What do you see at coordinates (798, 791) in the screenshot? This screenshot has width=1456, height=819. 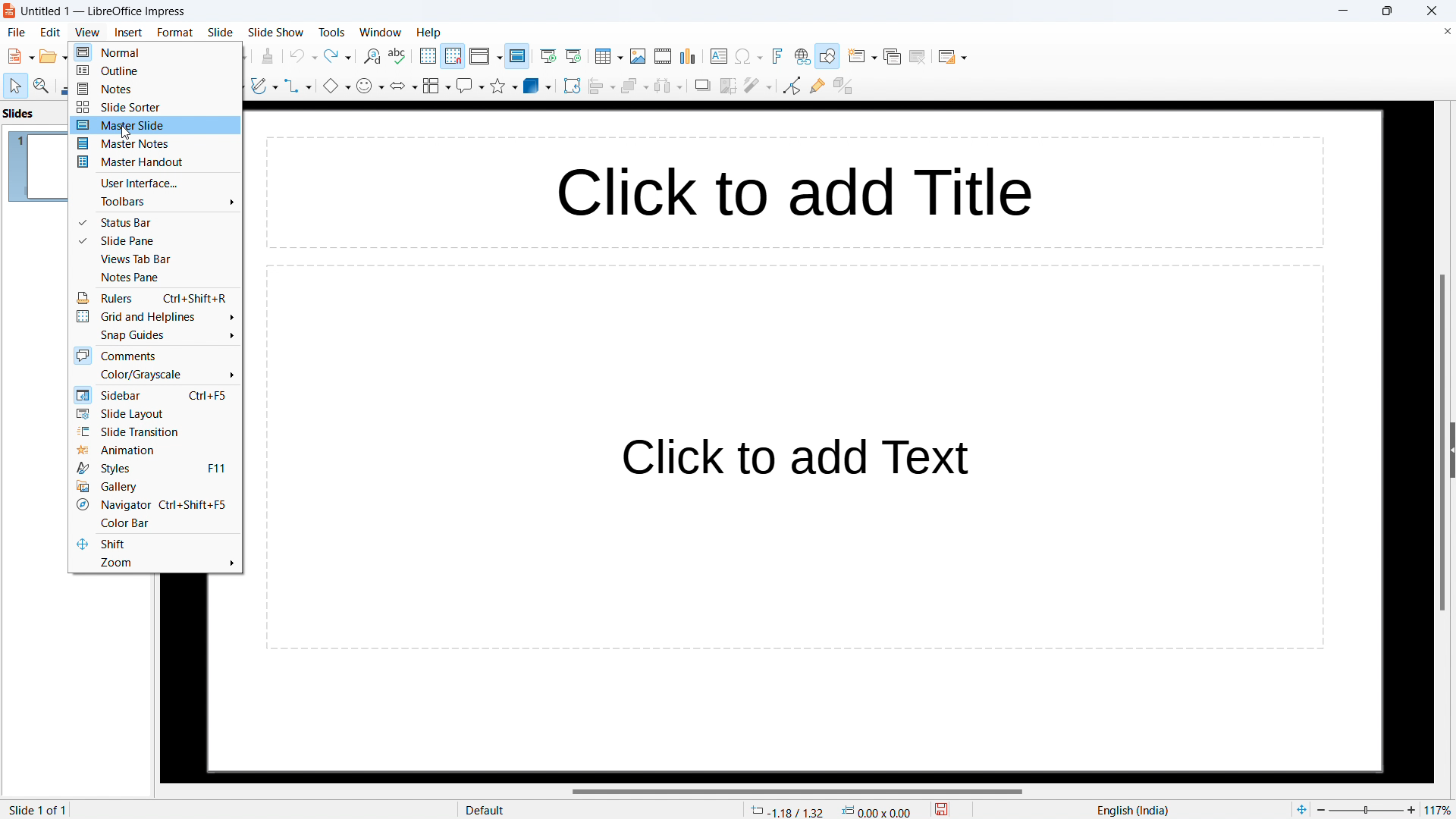 I see `horizontal scrollbar` at bounding box center [798, 791].